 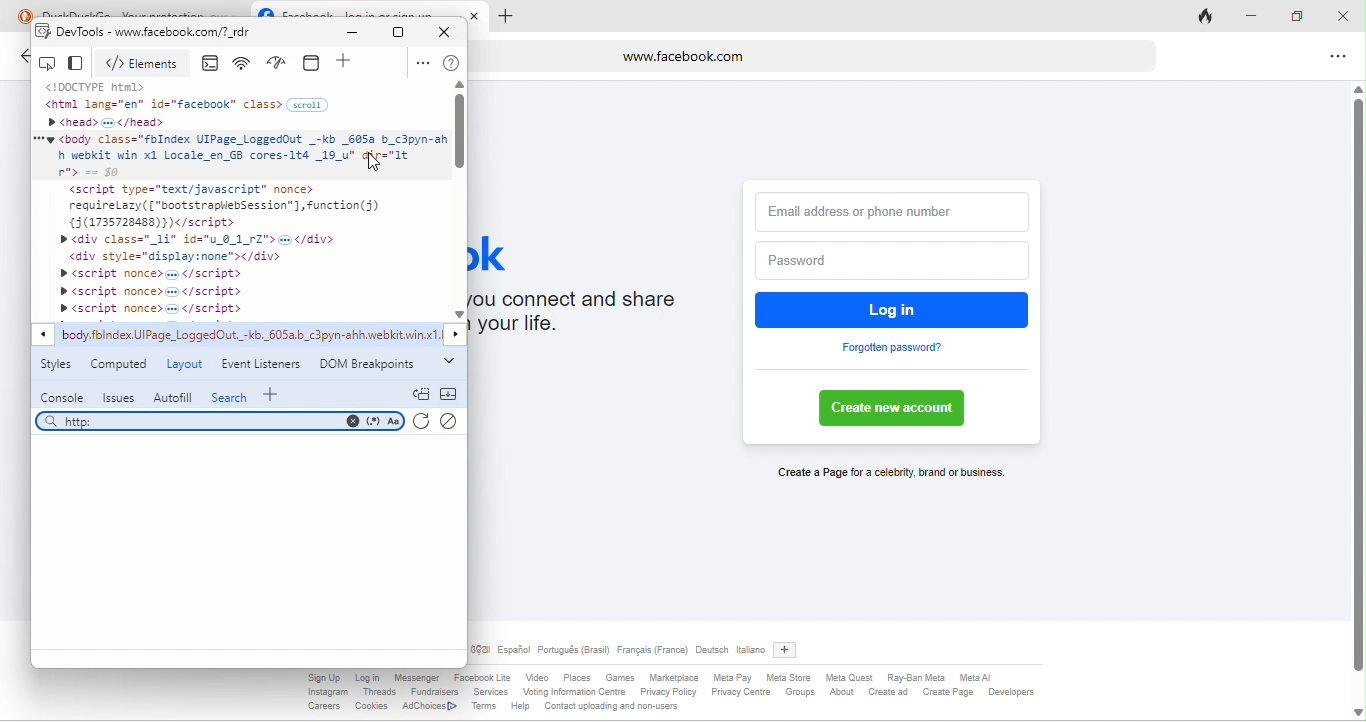 What do you see at coordinates (22, 59) in the screenshot?
I see `back` at bounding box center [22, 59].